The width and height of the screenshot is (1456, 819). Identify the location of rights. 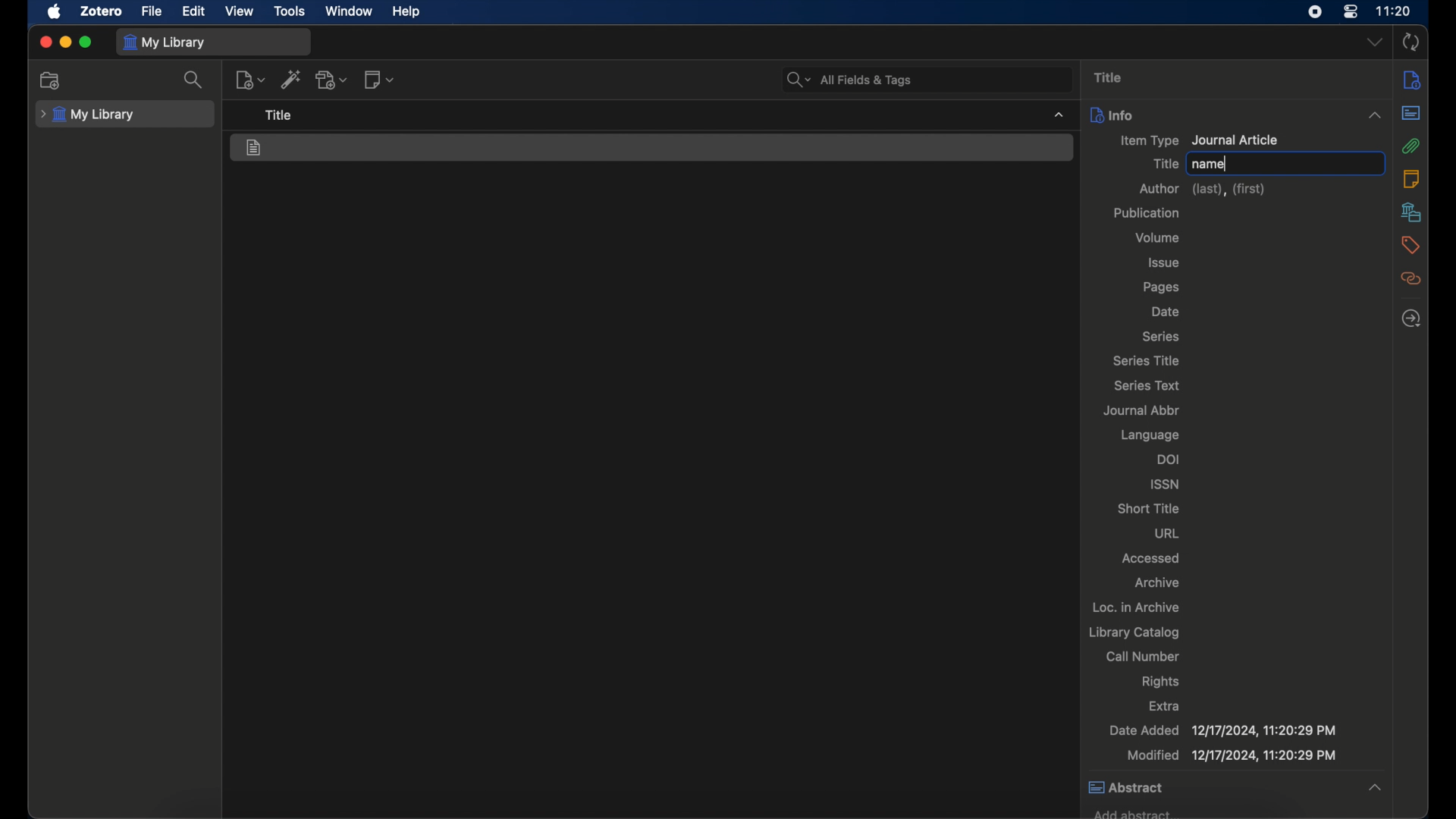
(1161, 682).